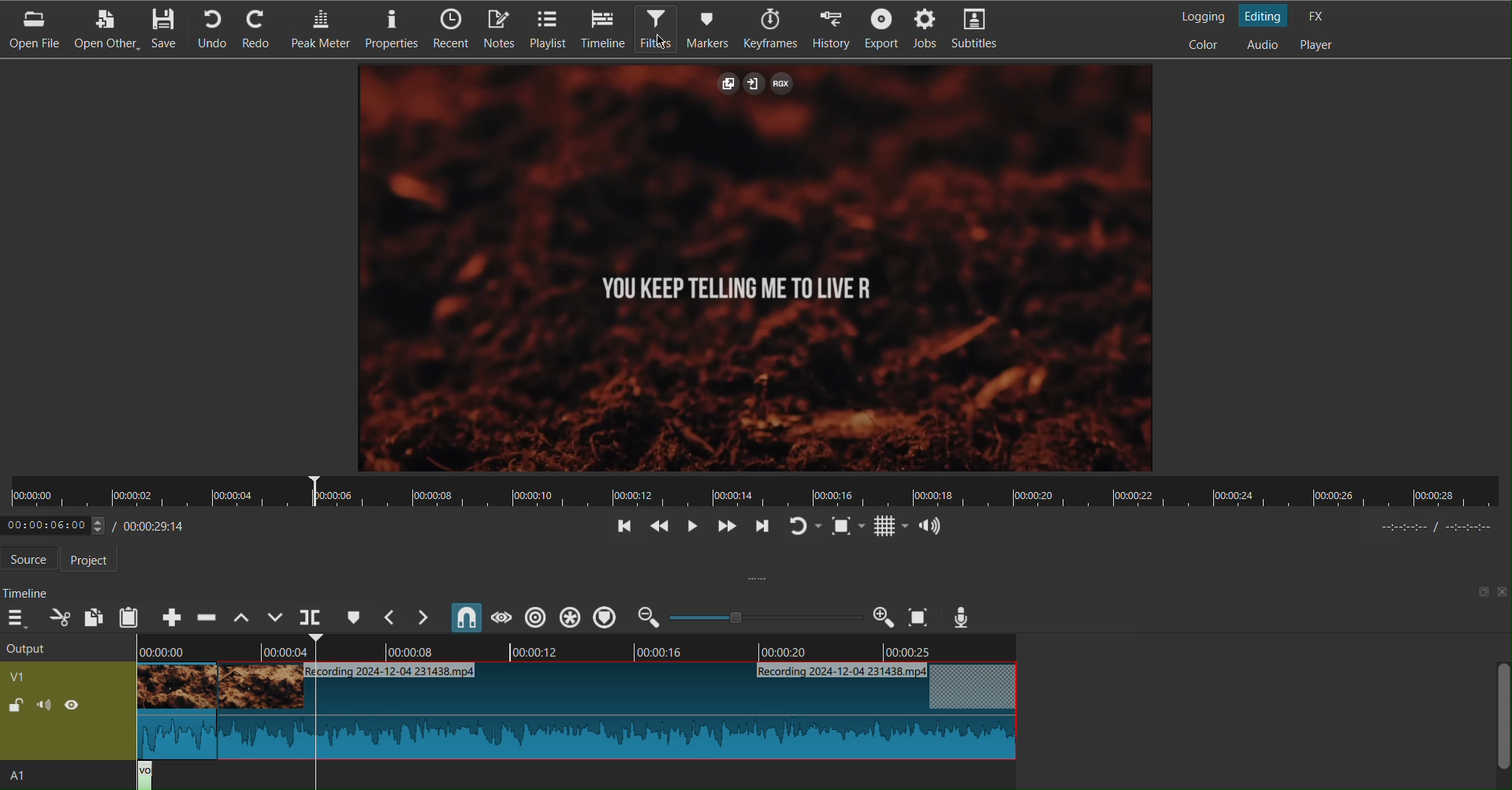  What do you see at coordinates (849, 526) in the screenshot?
I see `Zoom Fit` at bounding box center [849, 526].